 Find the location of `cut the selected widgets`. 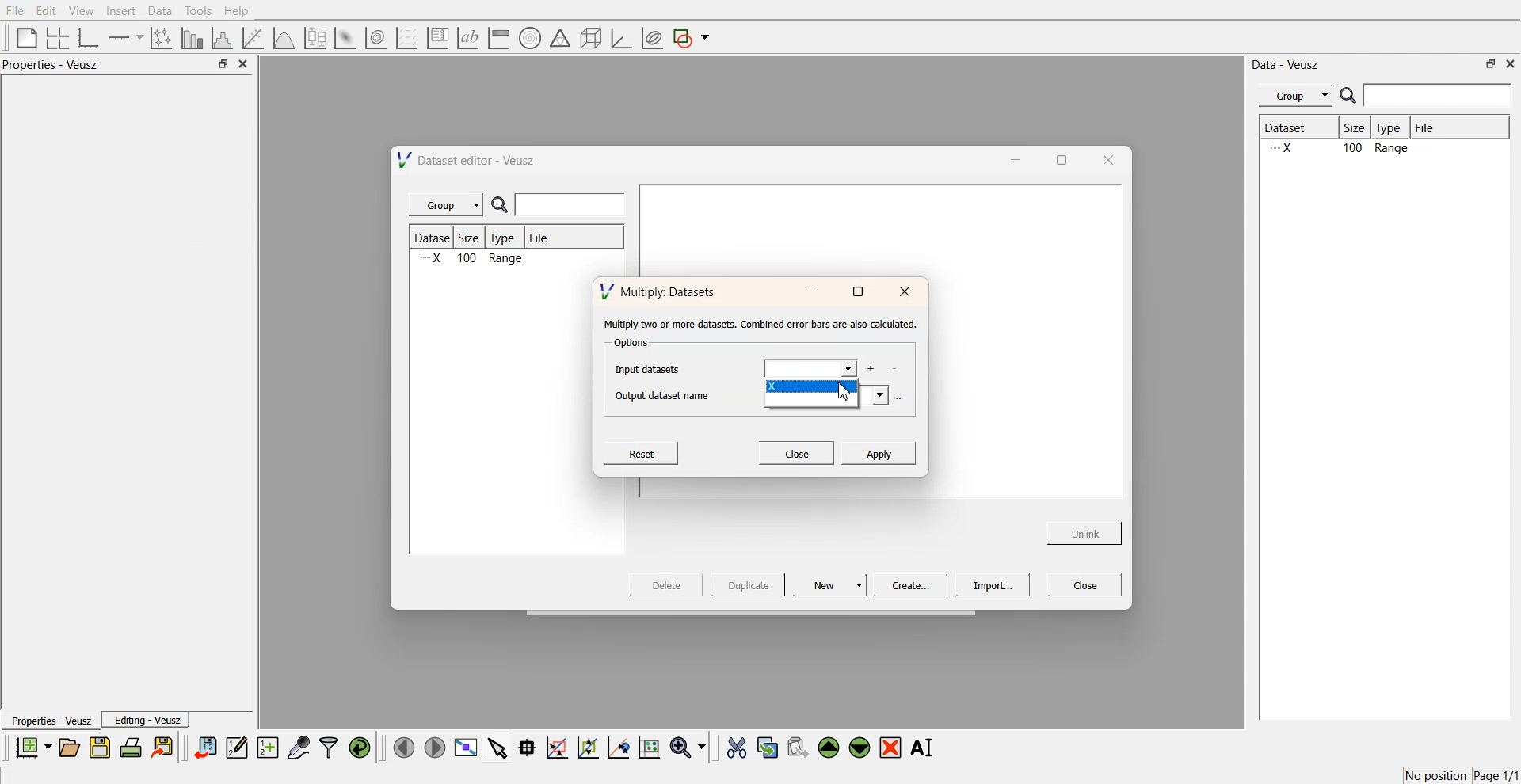

cut the selected widgets is located at coordinates (735, 748).